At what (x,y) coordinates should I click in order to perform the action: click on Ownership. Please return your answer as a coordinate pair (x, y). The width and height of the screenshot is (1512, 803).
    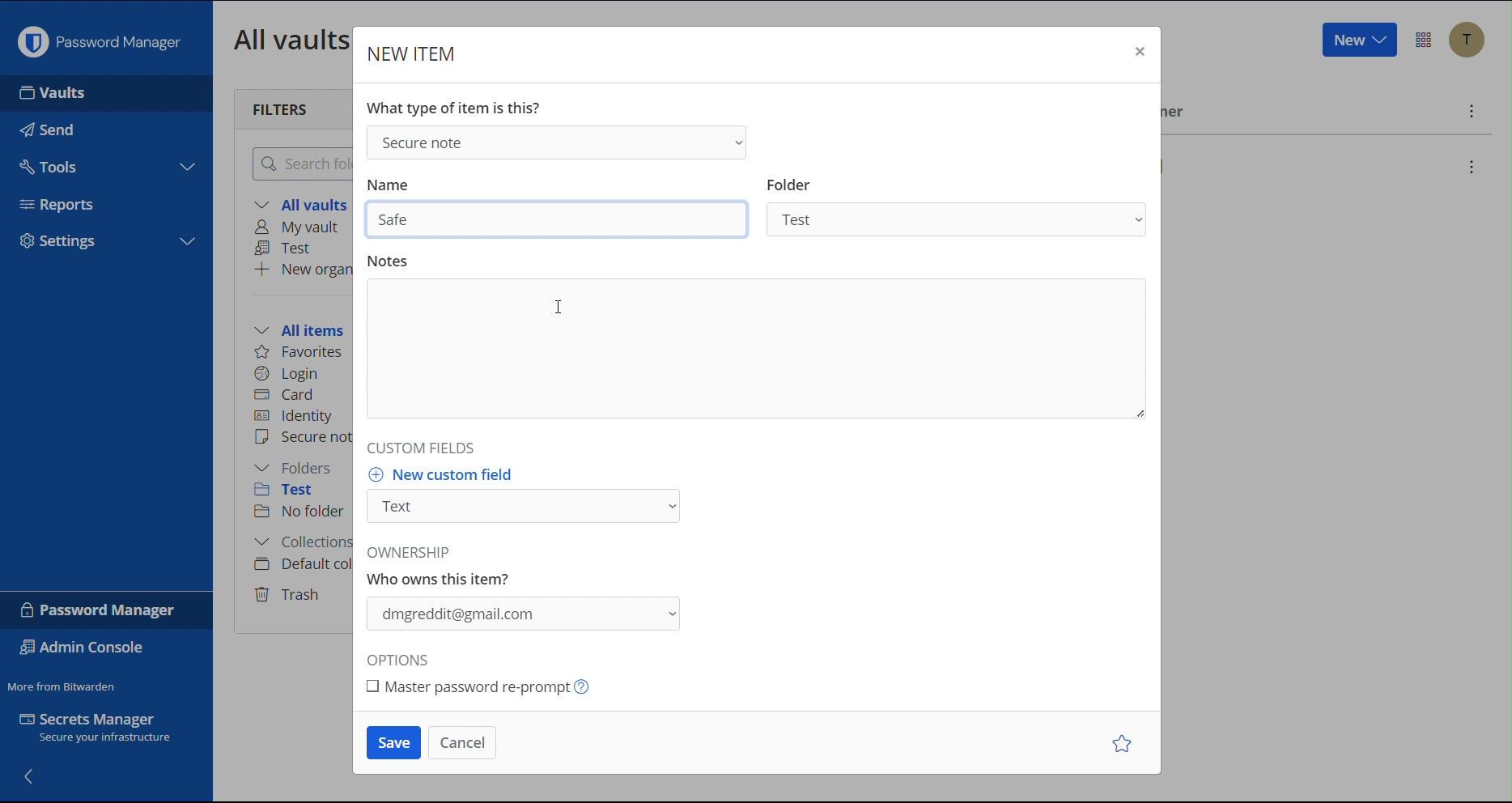
    Looking at the image, I should click on (522, 614).